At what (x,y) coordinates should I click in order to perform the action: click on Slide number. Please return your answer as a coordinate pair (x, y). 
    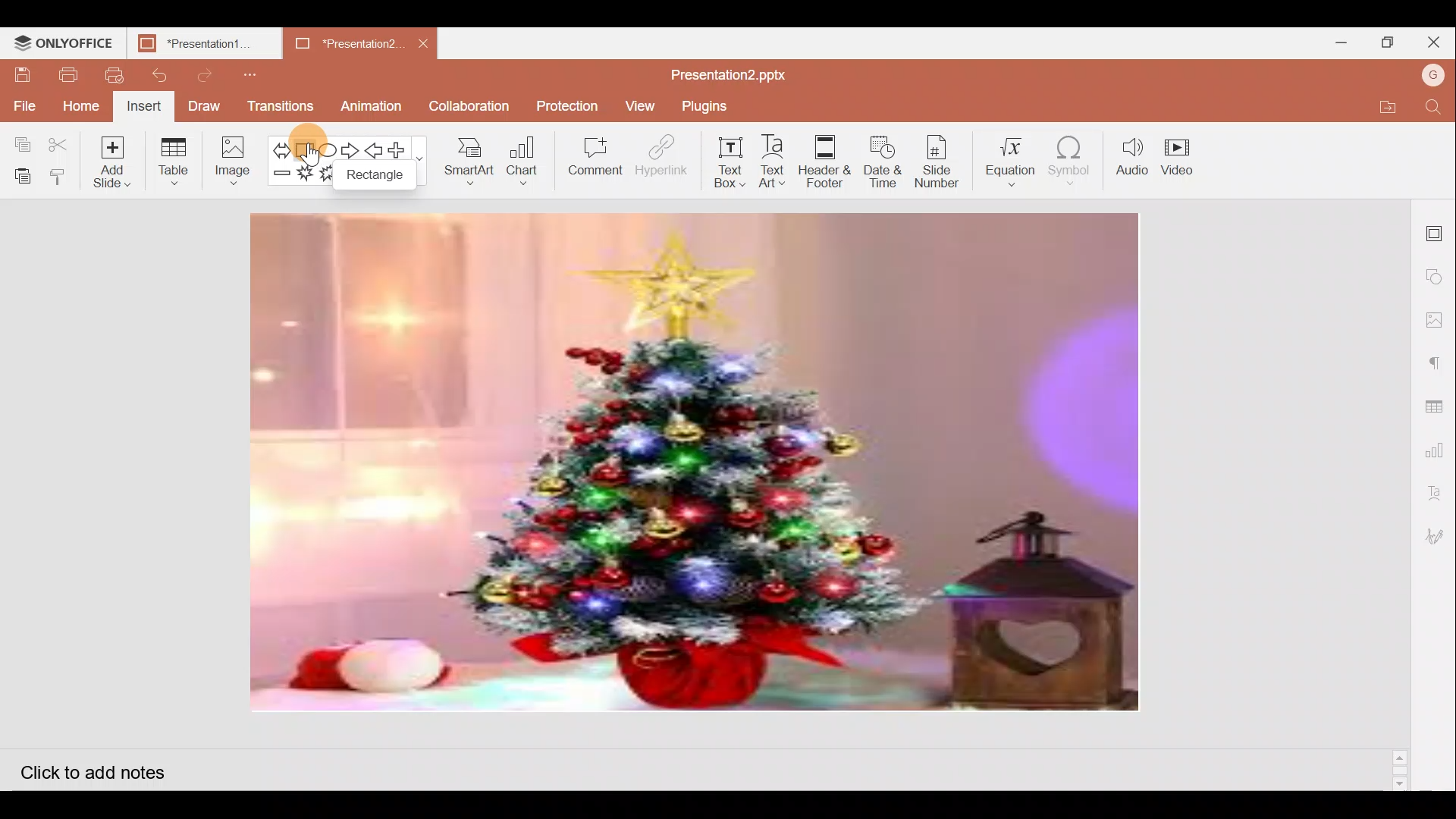
    Looking at the image, I should click on (942, 160).